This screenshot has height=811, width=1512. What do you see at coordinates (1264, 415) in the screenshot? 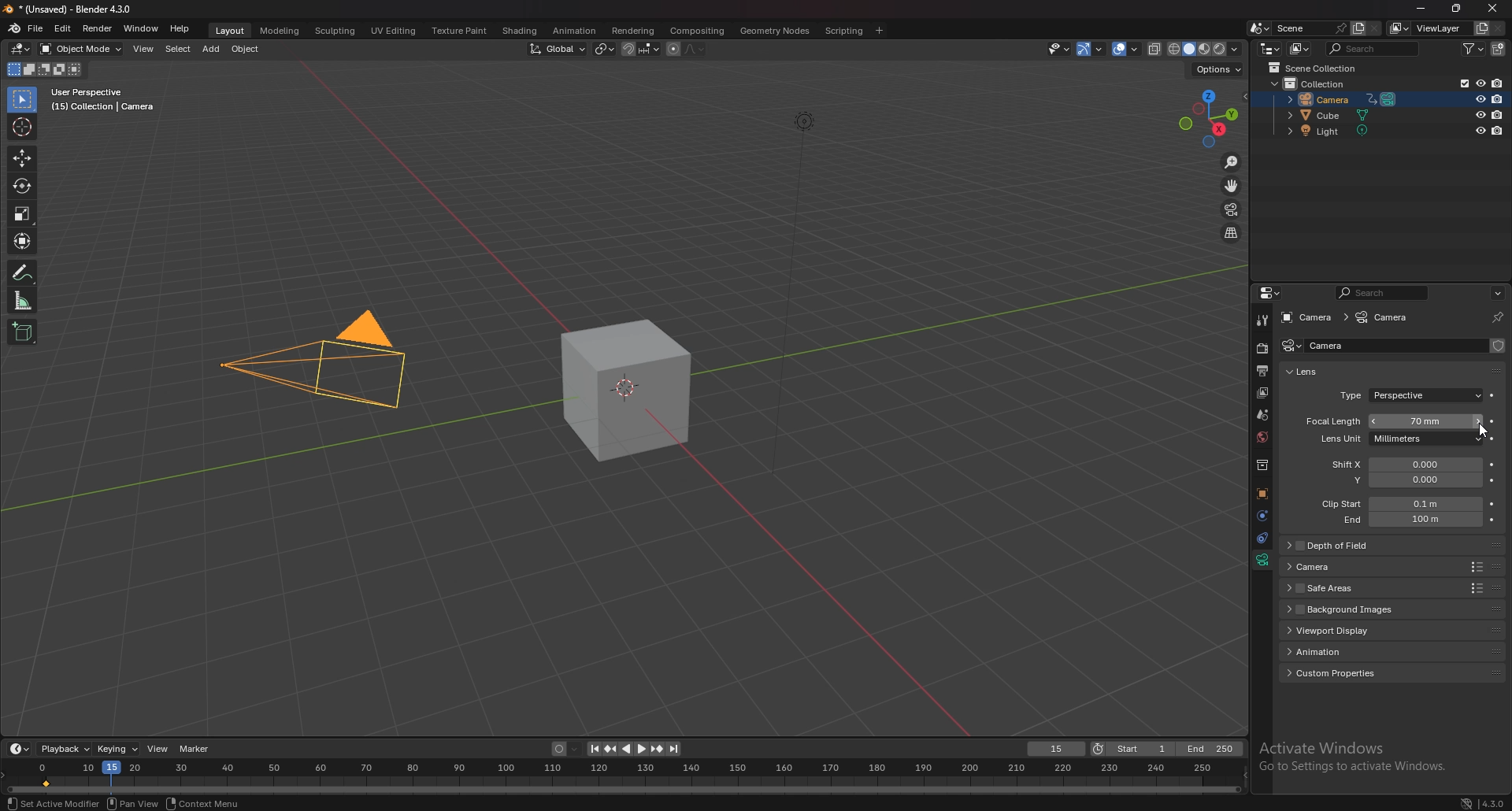
I see `scene` at bounding box center [1264, 415].